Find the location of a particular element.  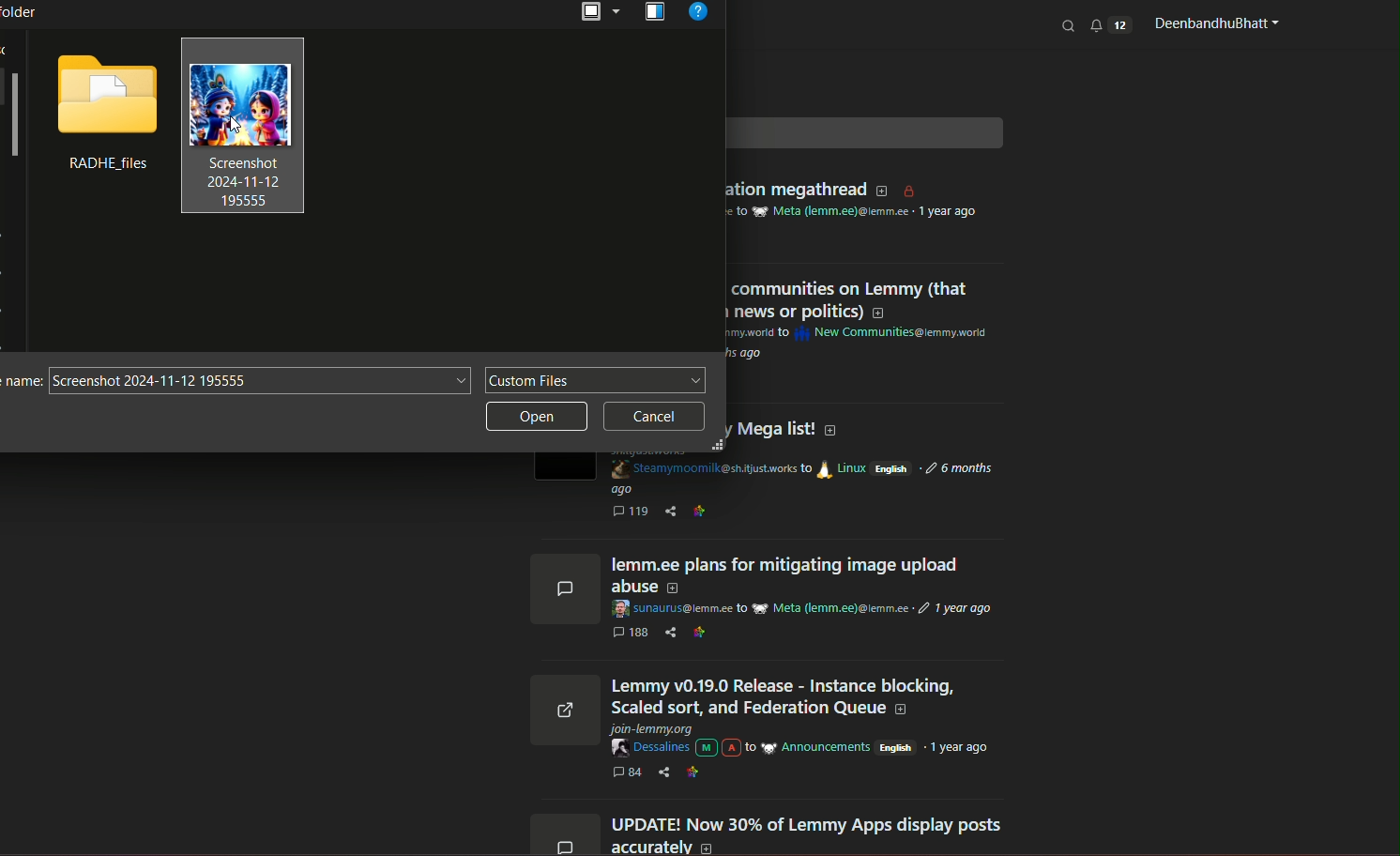

Posts is located at coordinates (810, 698).